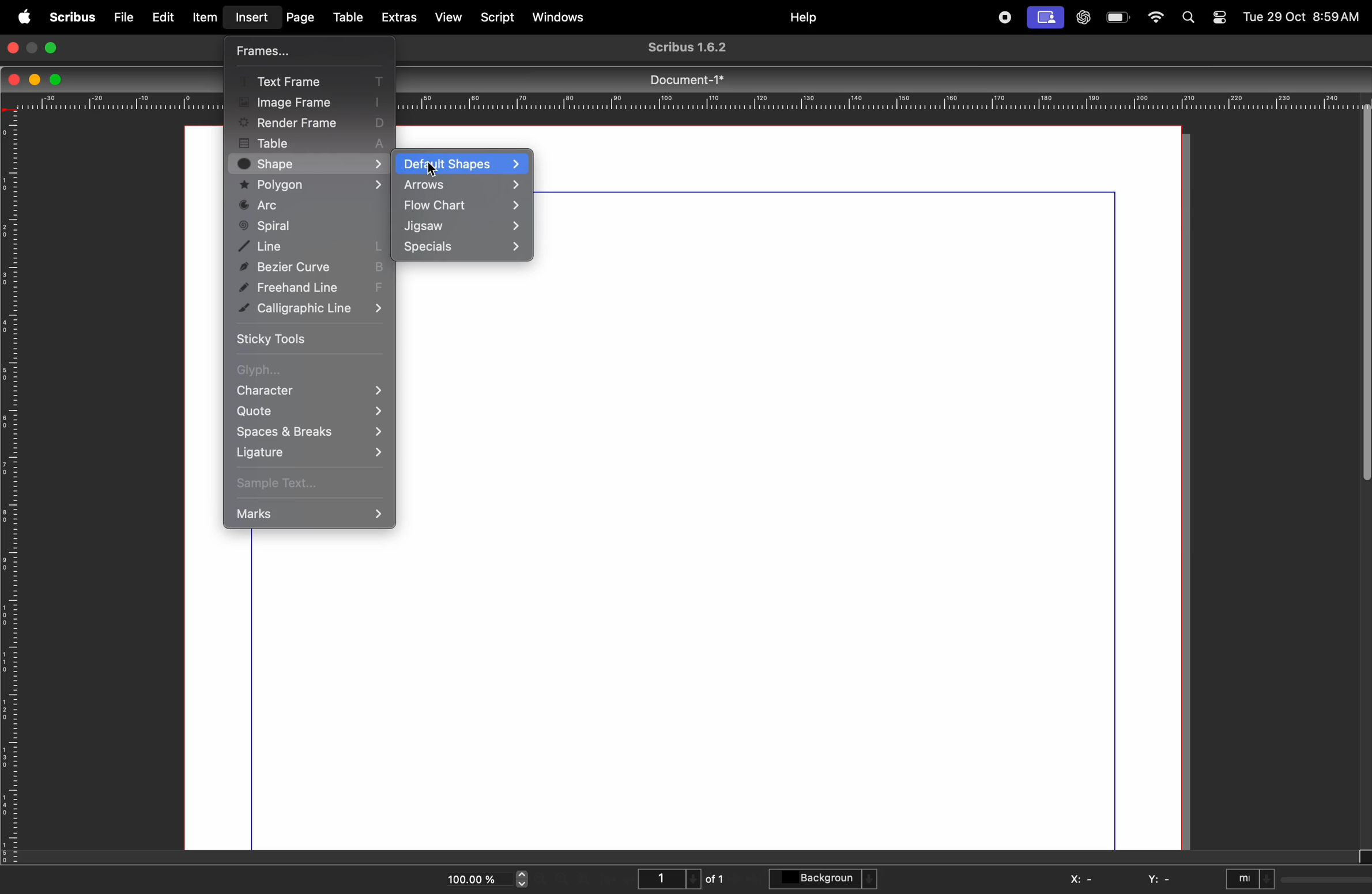 The height and width of the screenshot is (894, 1372). Describe the element at coordinates (560, 16) in the screenshot. I see `windows` at that location.